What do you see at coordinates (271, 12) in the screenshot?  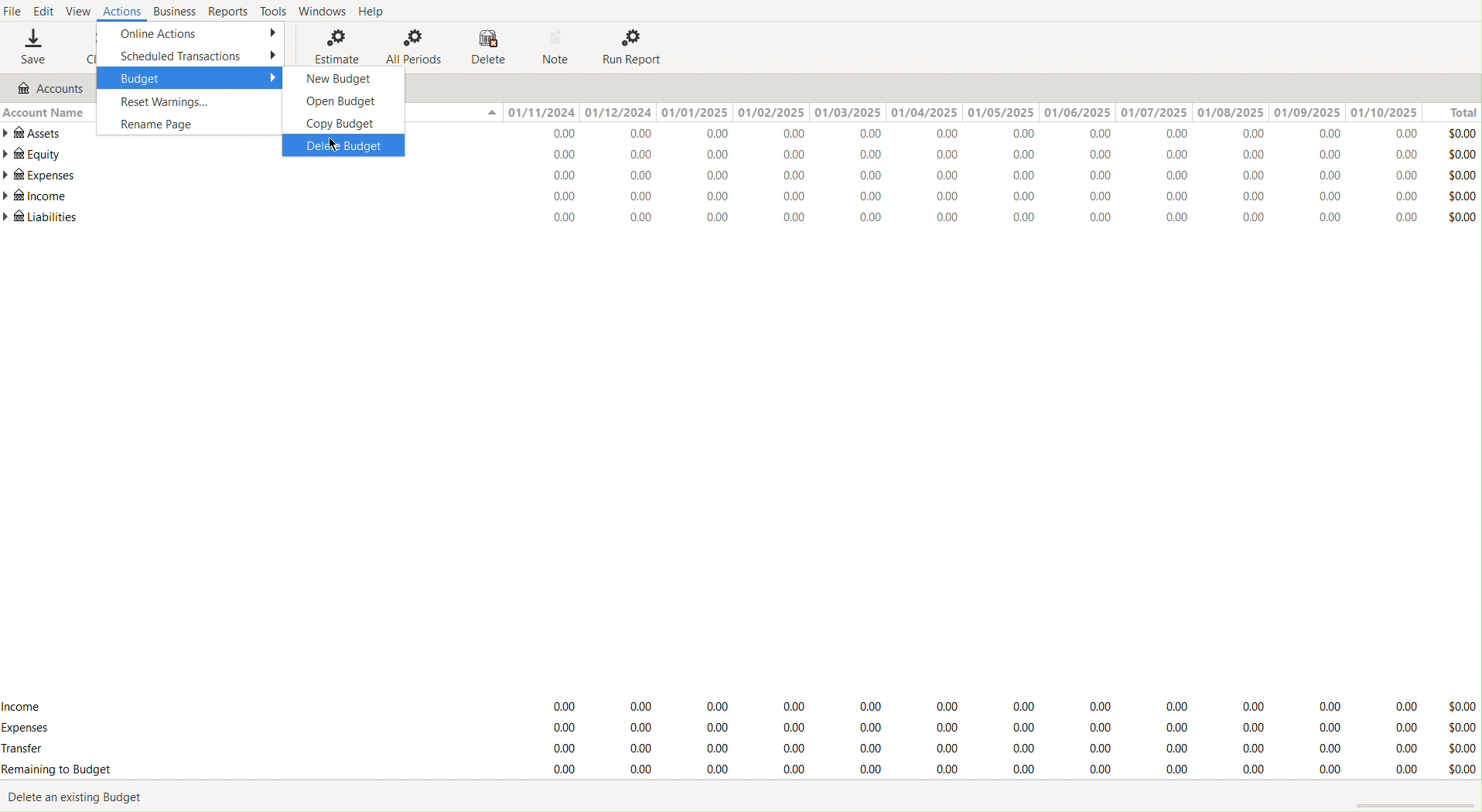 I see `Tools` at bounding box center [271, 12].